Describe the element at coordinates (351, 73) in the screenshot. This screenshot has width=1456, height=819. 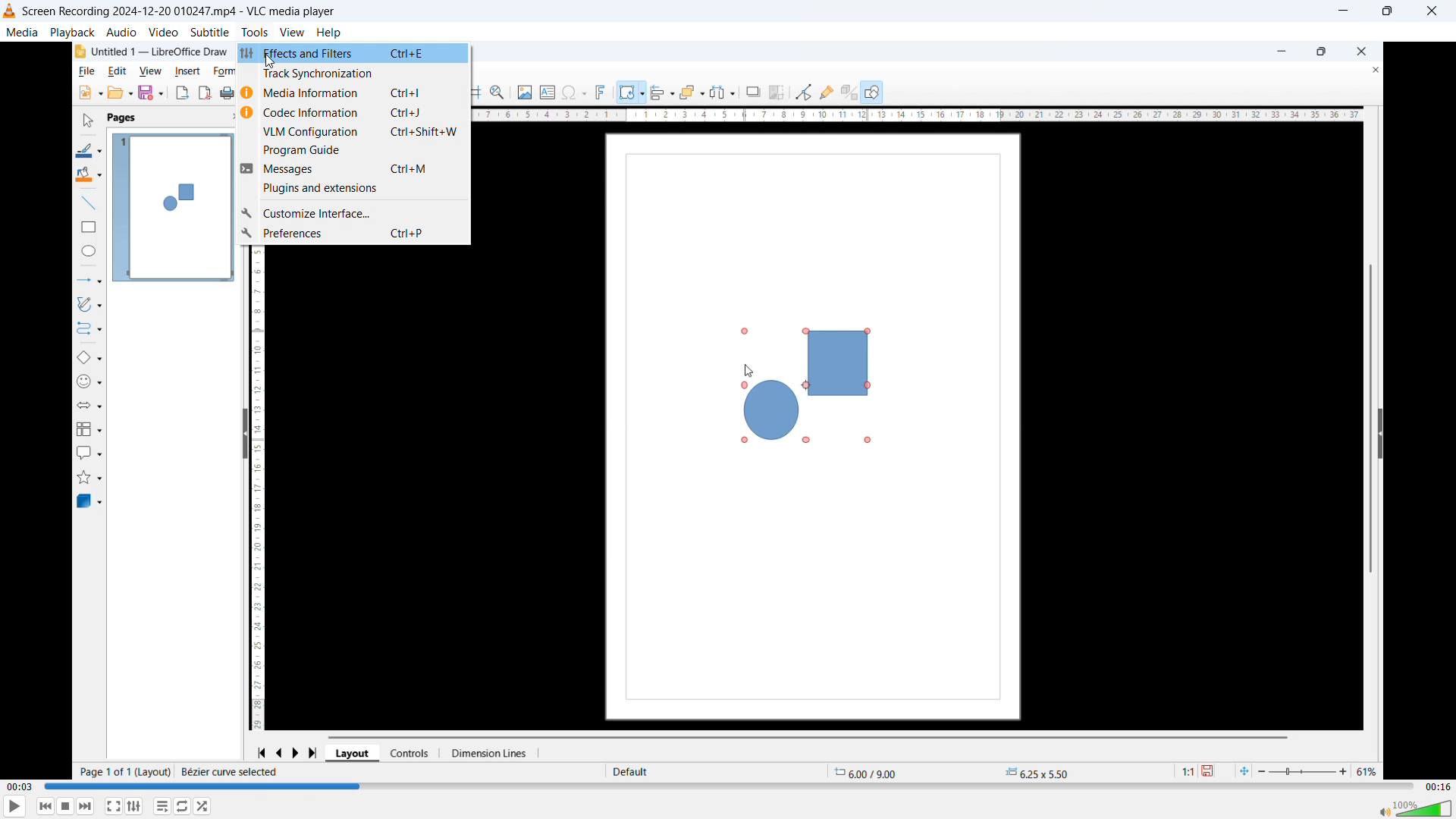
I see `Track synchronisation ` at that location.